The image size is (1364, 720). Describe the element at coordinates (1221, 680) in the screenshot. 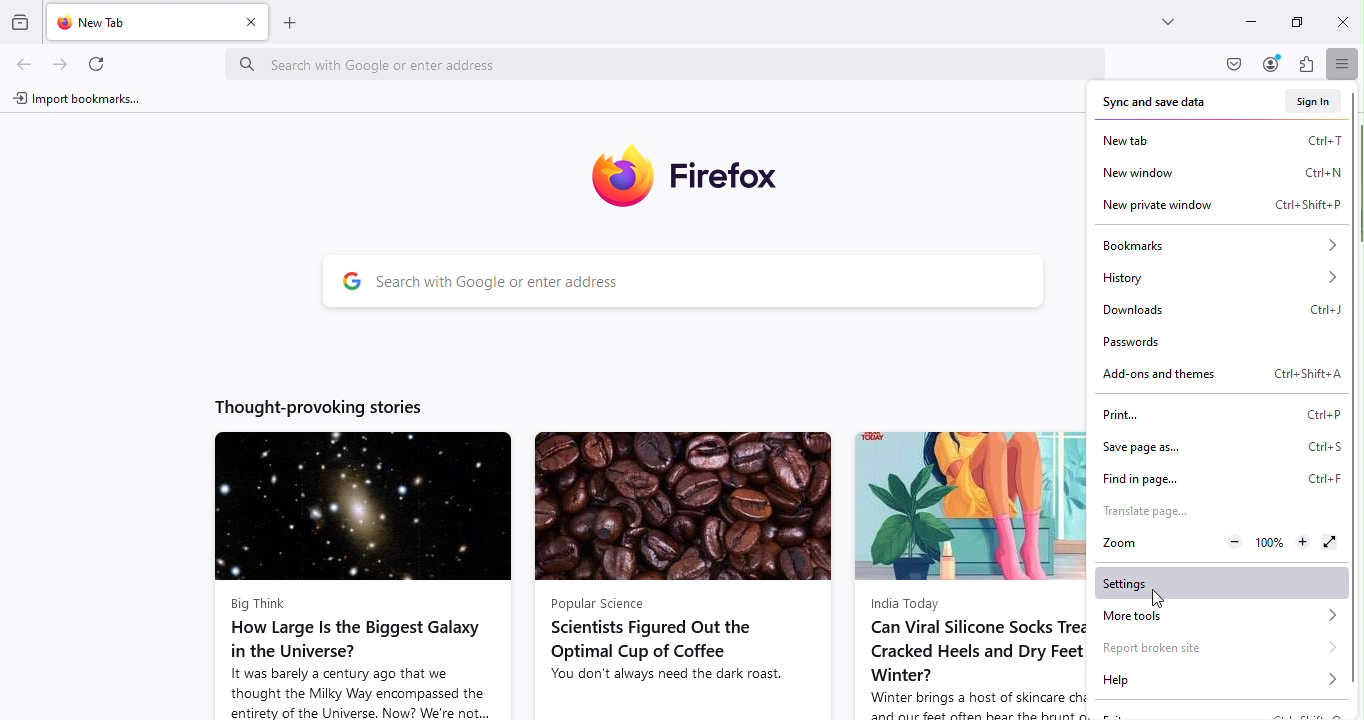

I see `Help` at that location.